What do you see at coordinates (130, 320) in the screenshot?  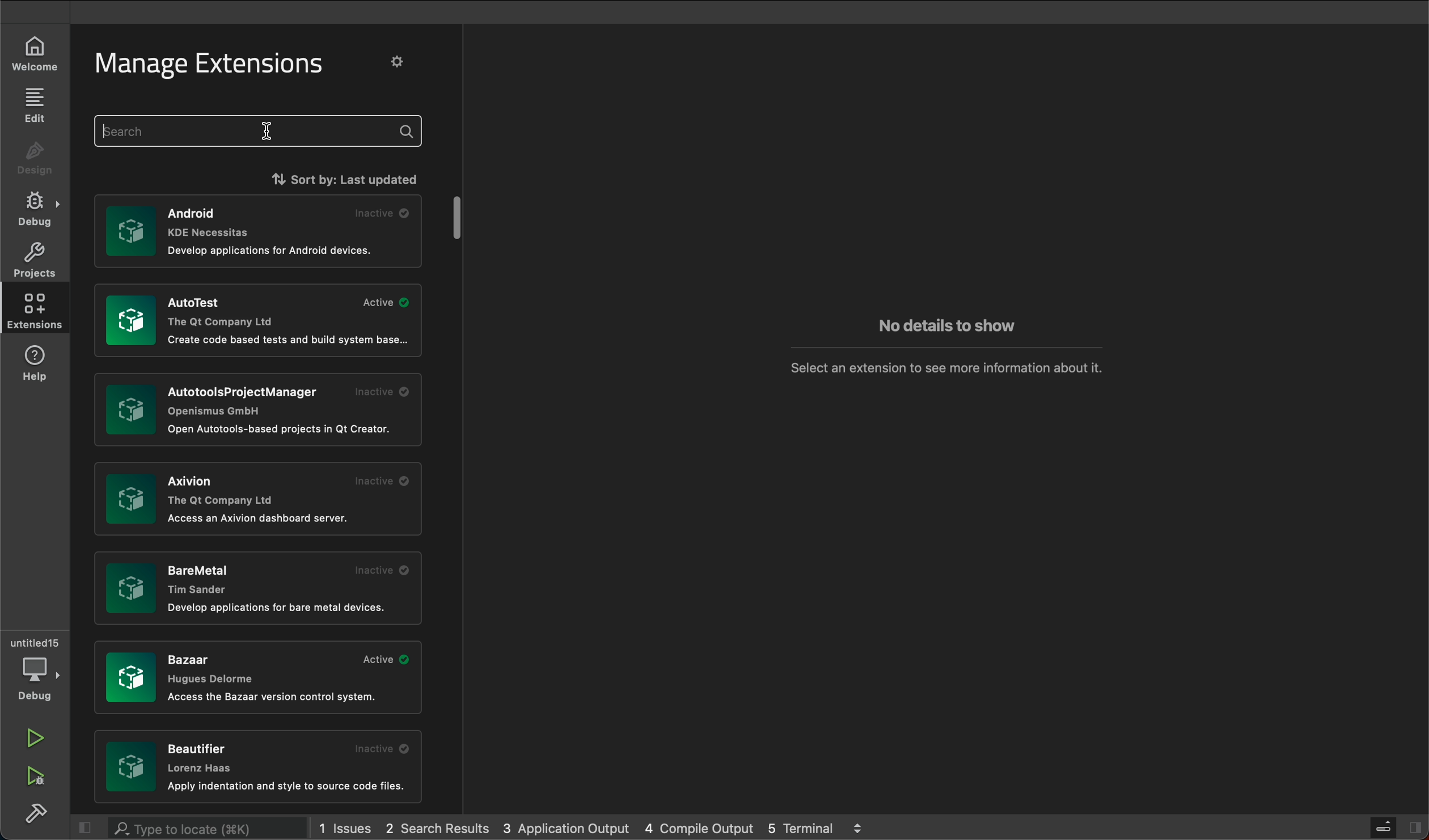 I see `image` at bounding box center [130, 320].